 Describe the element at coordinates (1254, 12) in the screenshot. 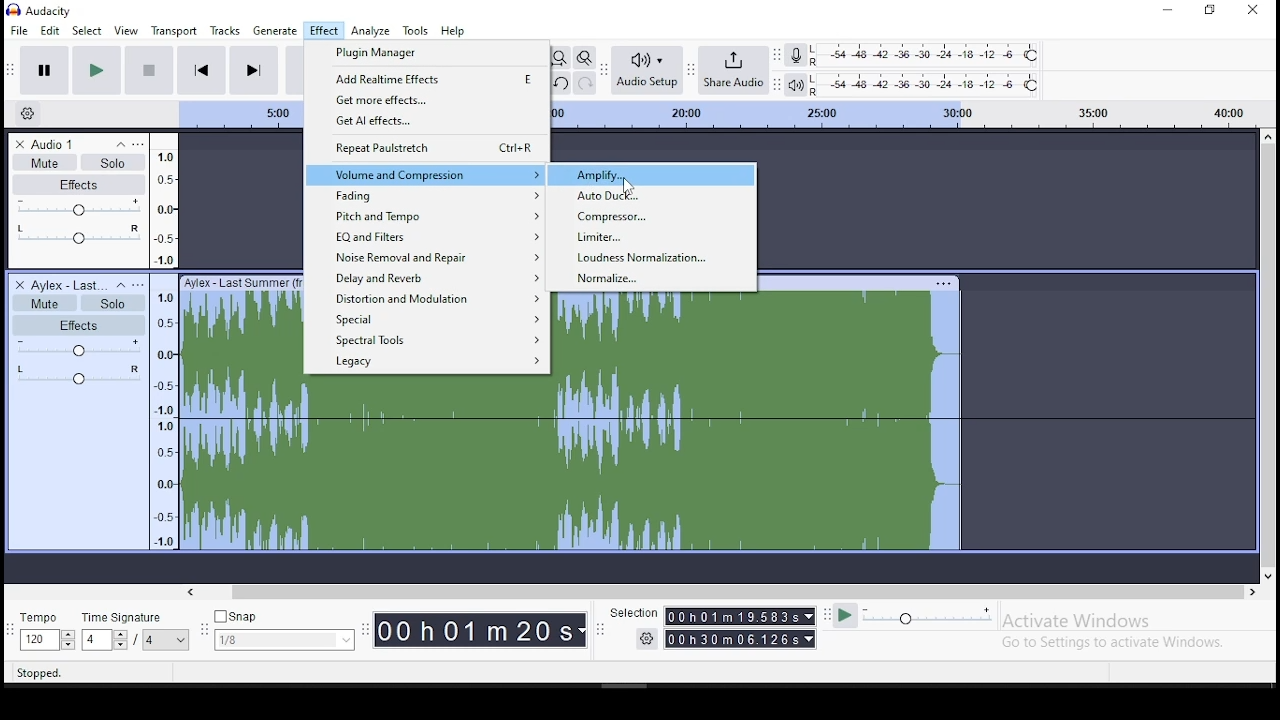

I see `close window` at that location.